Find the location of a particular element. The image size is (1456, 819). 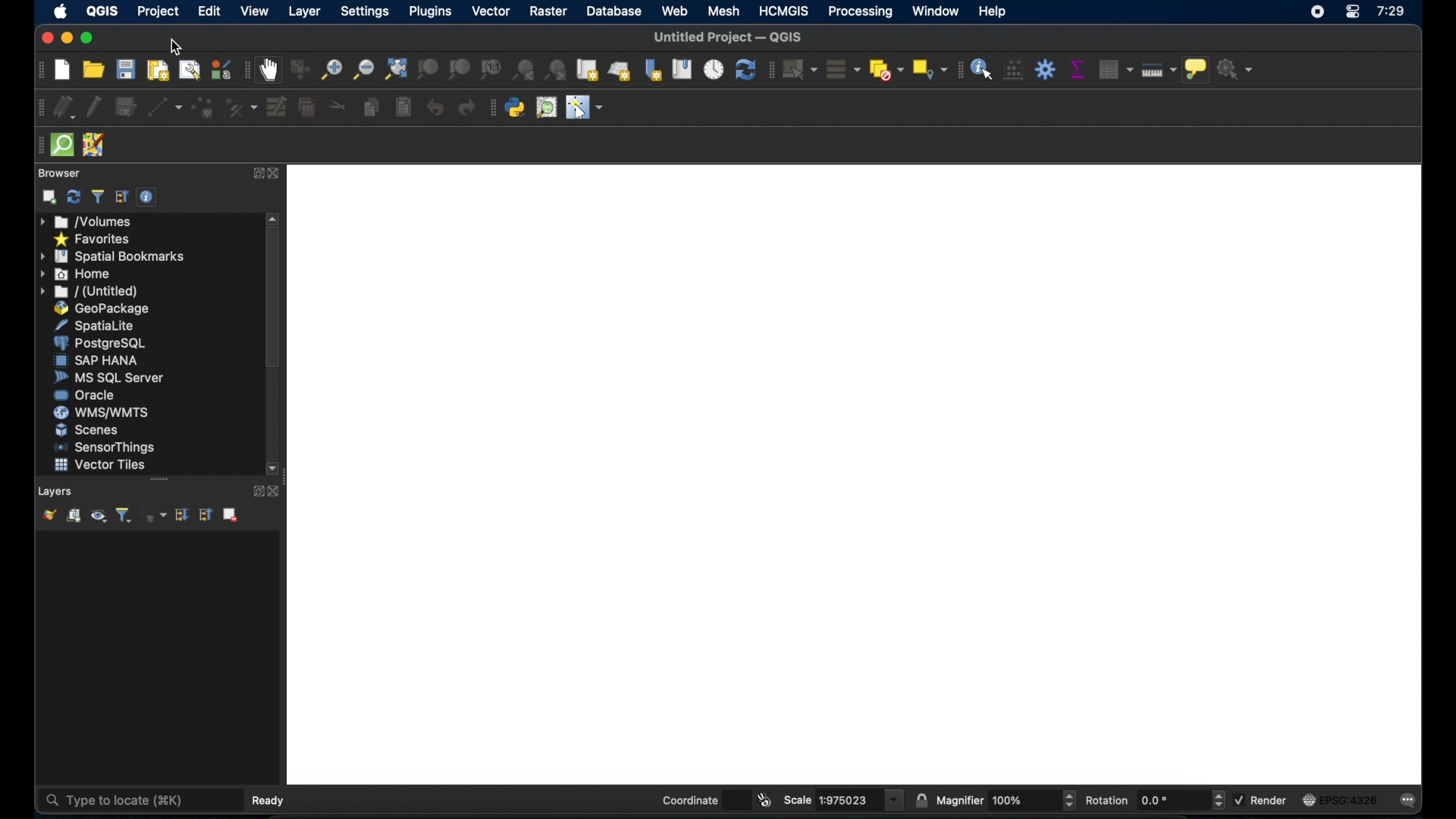

scroll box is located at coordinates (275, 297).